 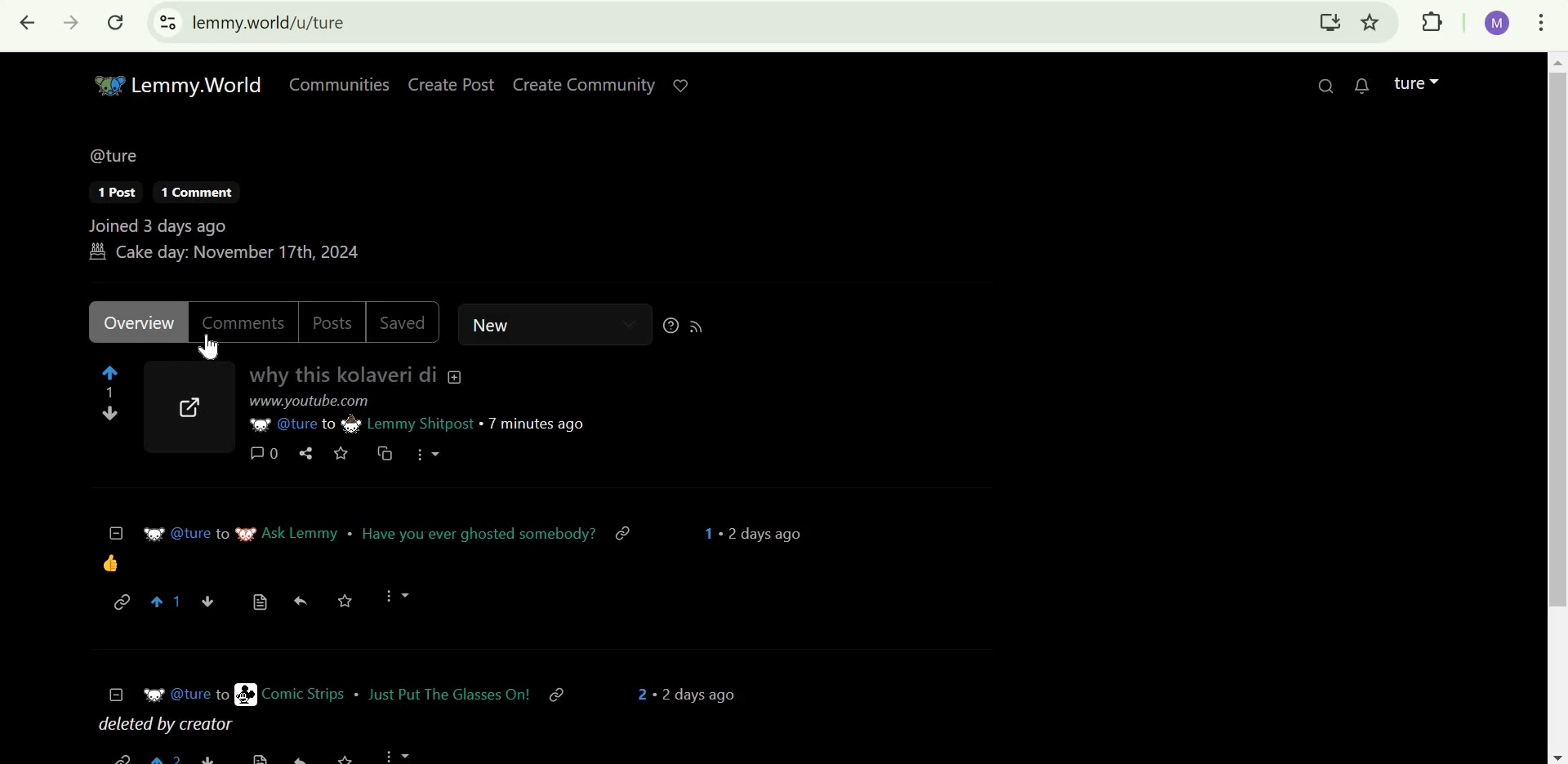 What do you see at coordinates (302, 599) in the screenshot?
I see `reply` at bounding box center [302, 599].